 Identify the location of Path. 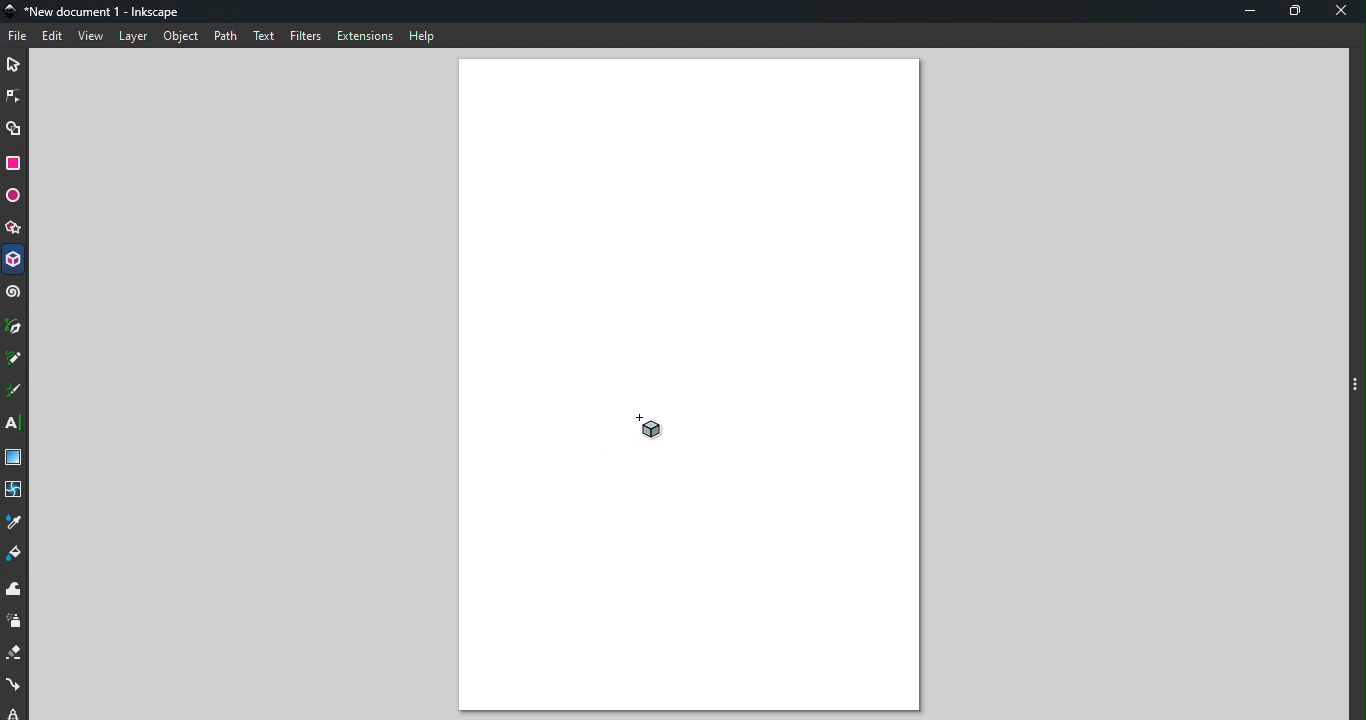
(226, 36).